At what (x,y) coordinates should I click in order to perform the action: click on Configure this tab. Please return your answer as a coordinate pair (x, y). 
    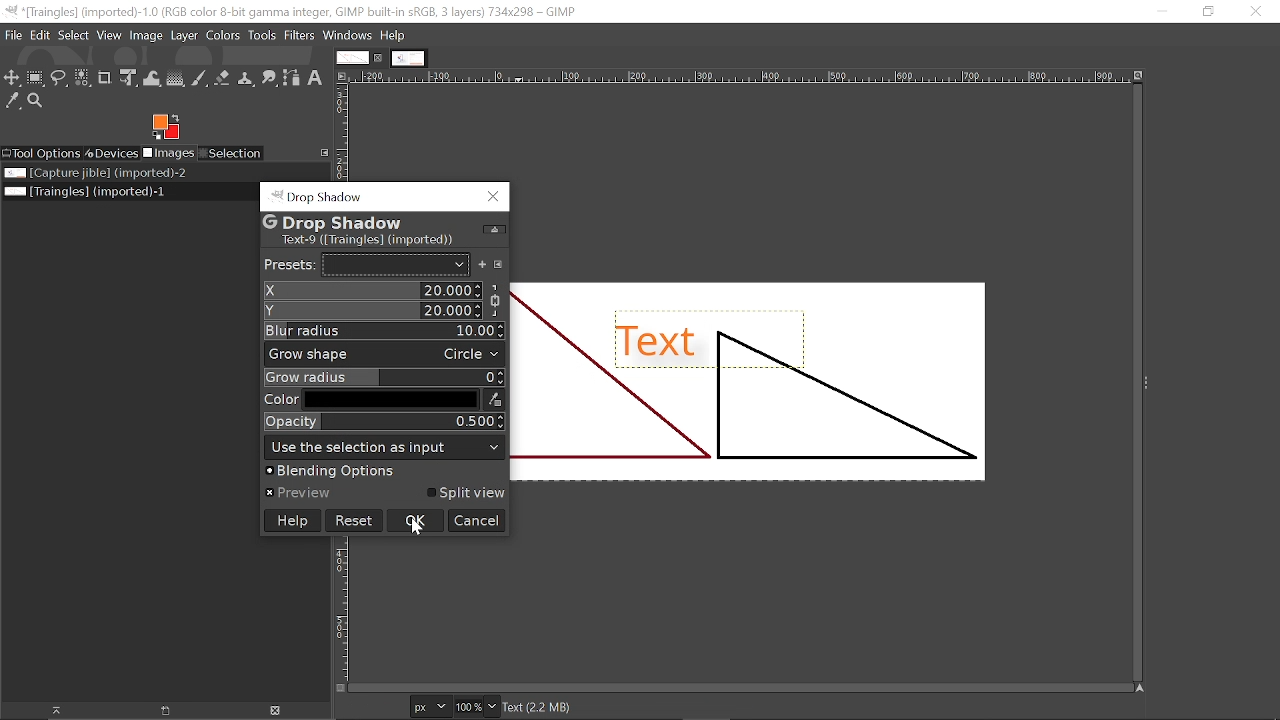
    Looking at the image, I should click on (324, 152).